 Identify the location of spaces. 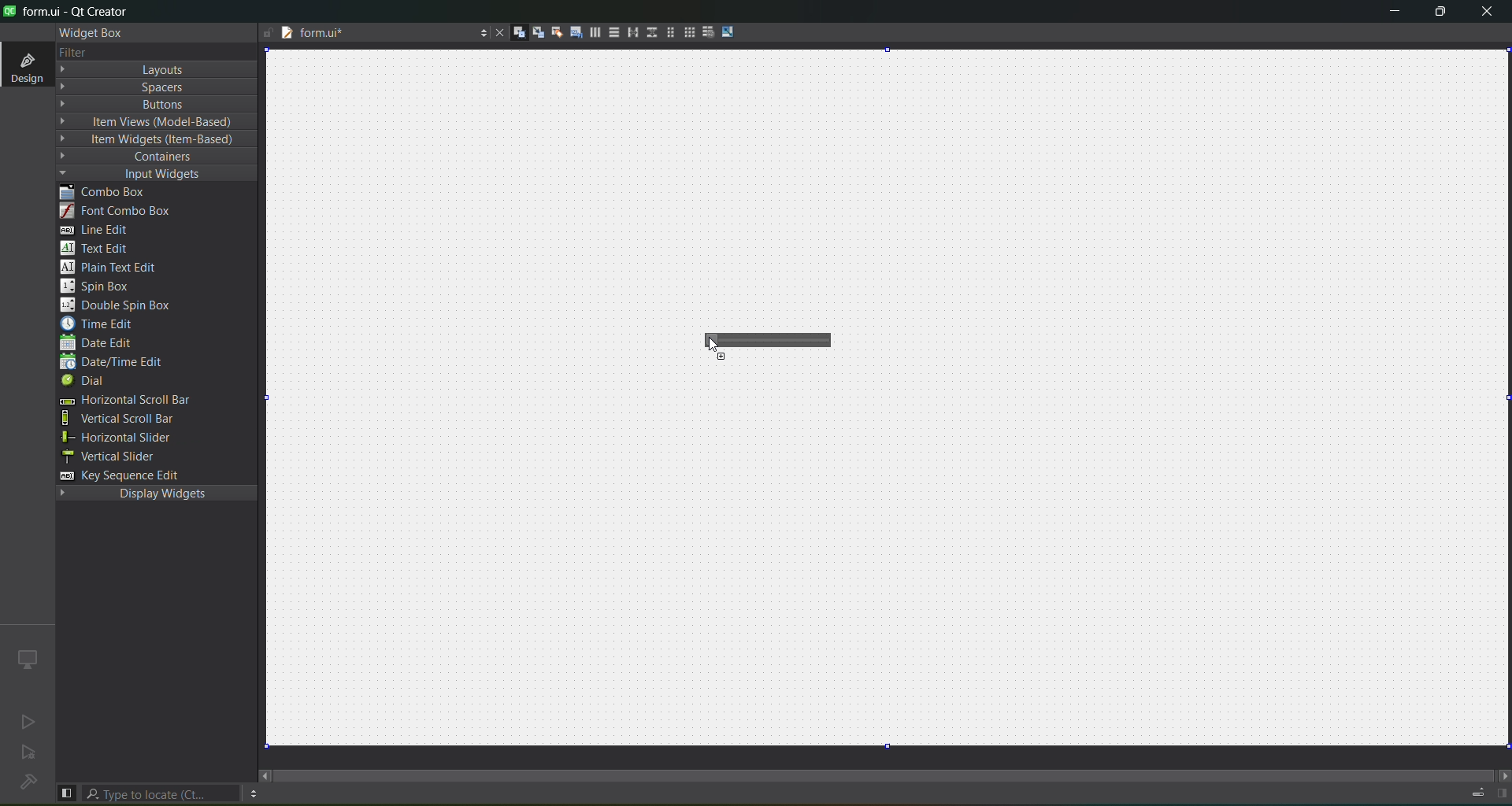
(135, 87).